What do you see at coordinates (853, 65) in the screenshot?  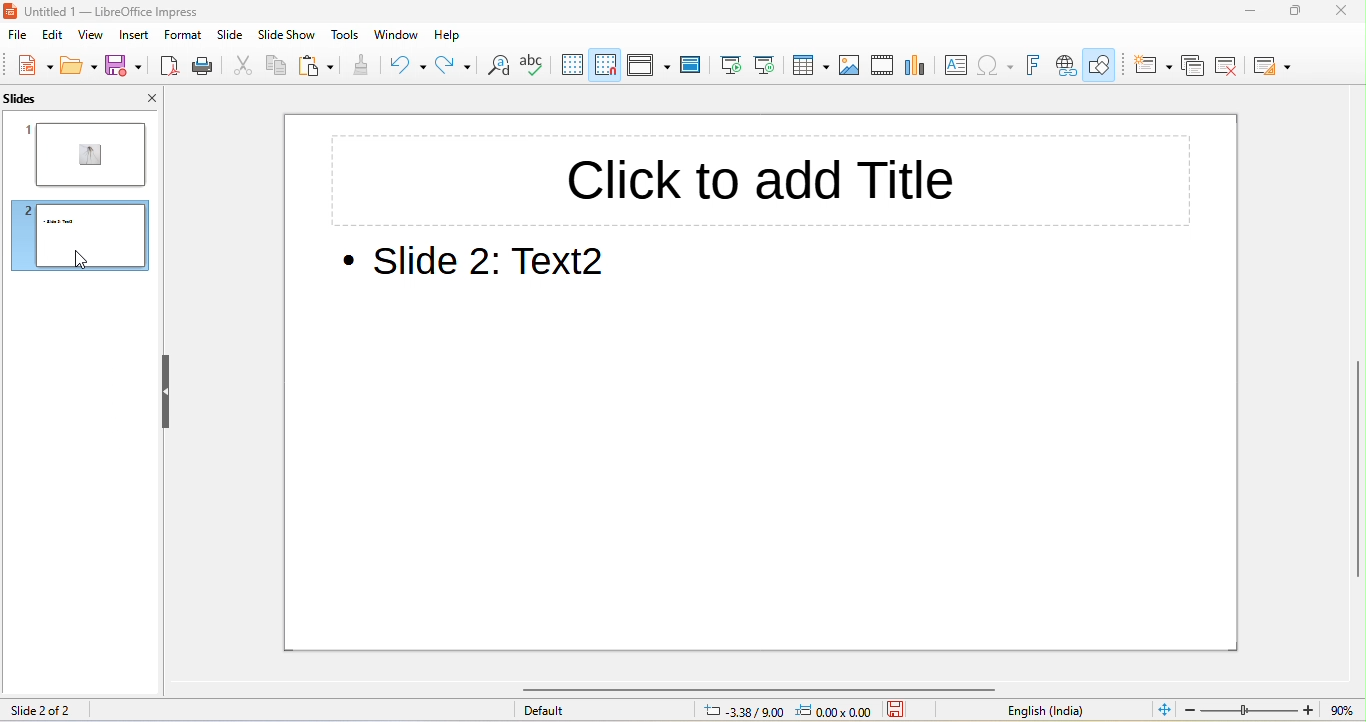 I see `image` at bounding box center [853, 65].